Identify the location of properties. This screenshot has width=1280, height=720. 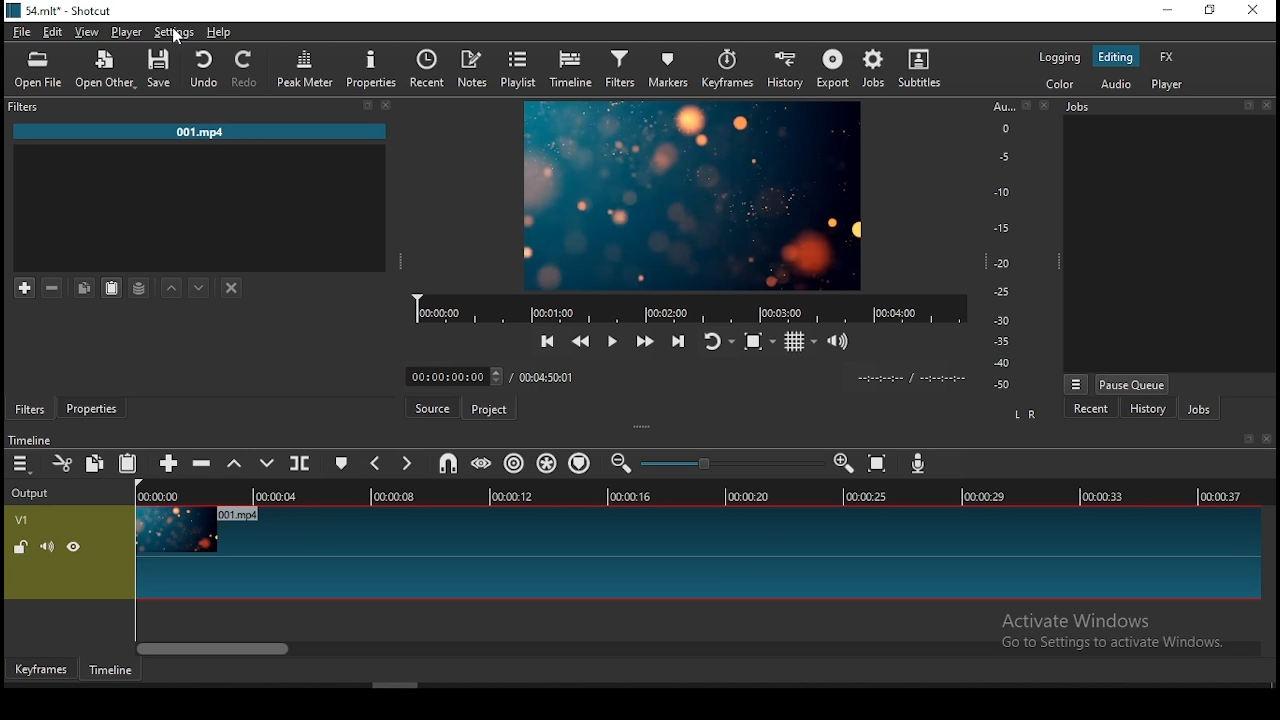
(373, 68).